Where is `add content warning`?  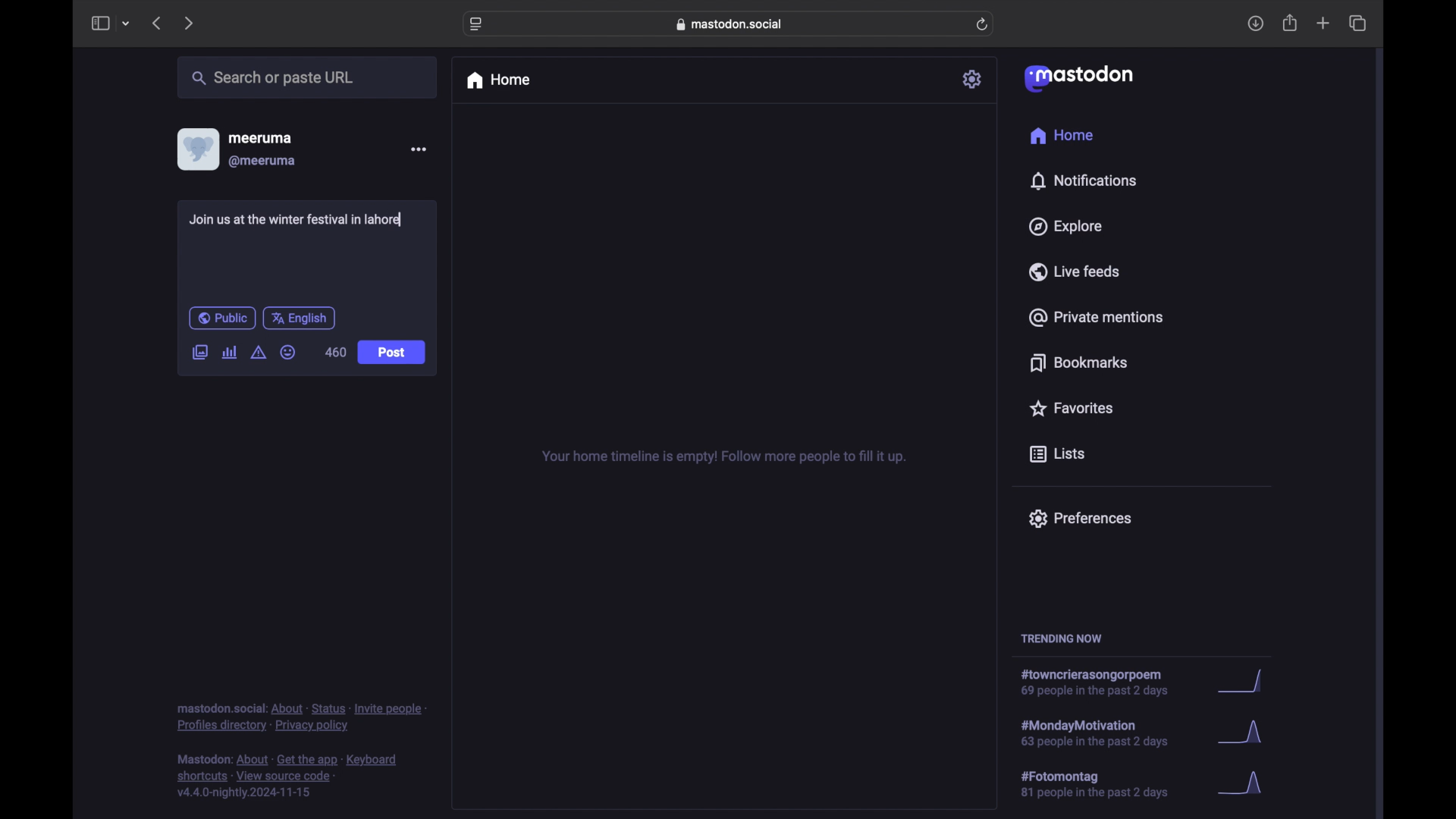 add content warning is located at coordinates (258, 353).